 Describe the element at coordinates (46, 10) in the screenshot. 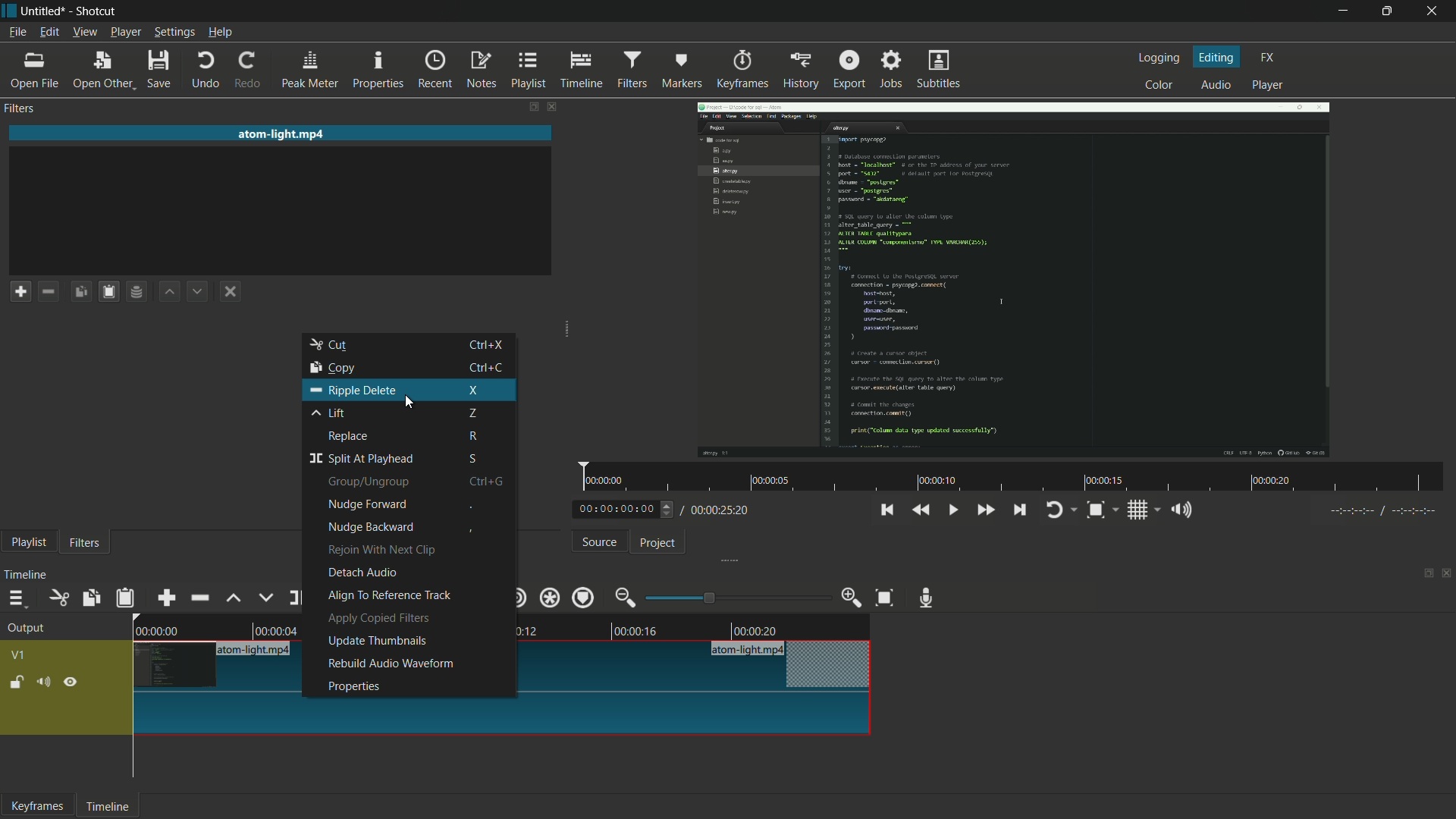

I see `Untitled` at that location.